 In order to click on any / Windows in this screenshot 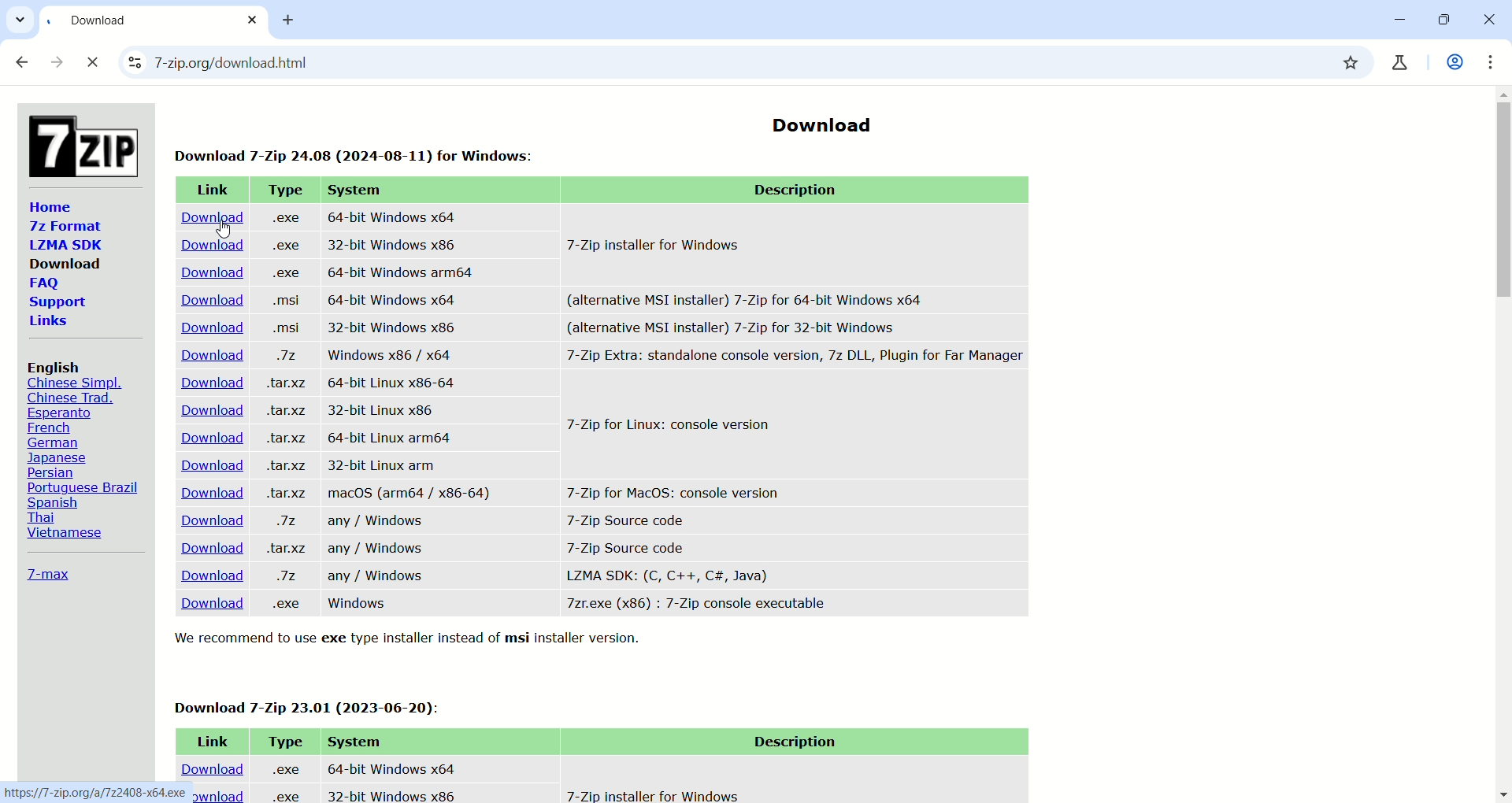, I will do `click(374, 549)`.